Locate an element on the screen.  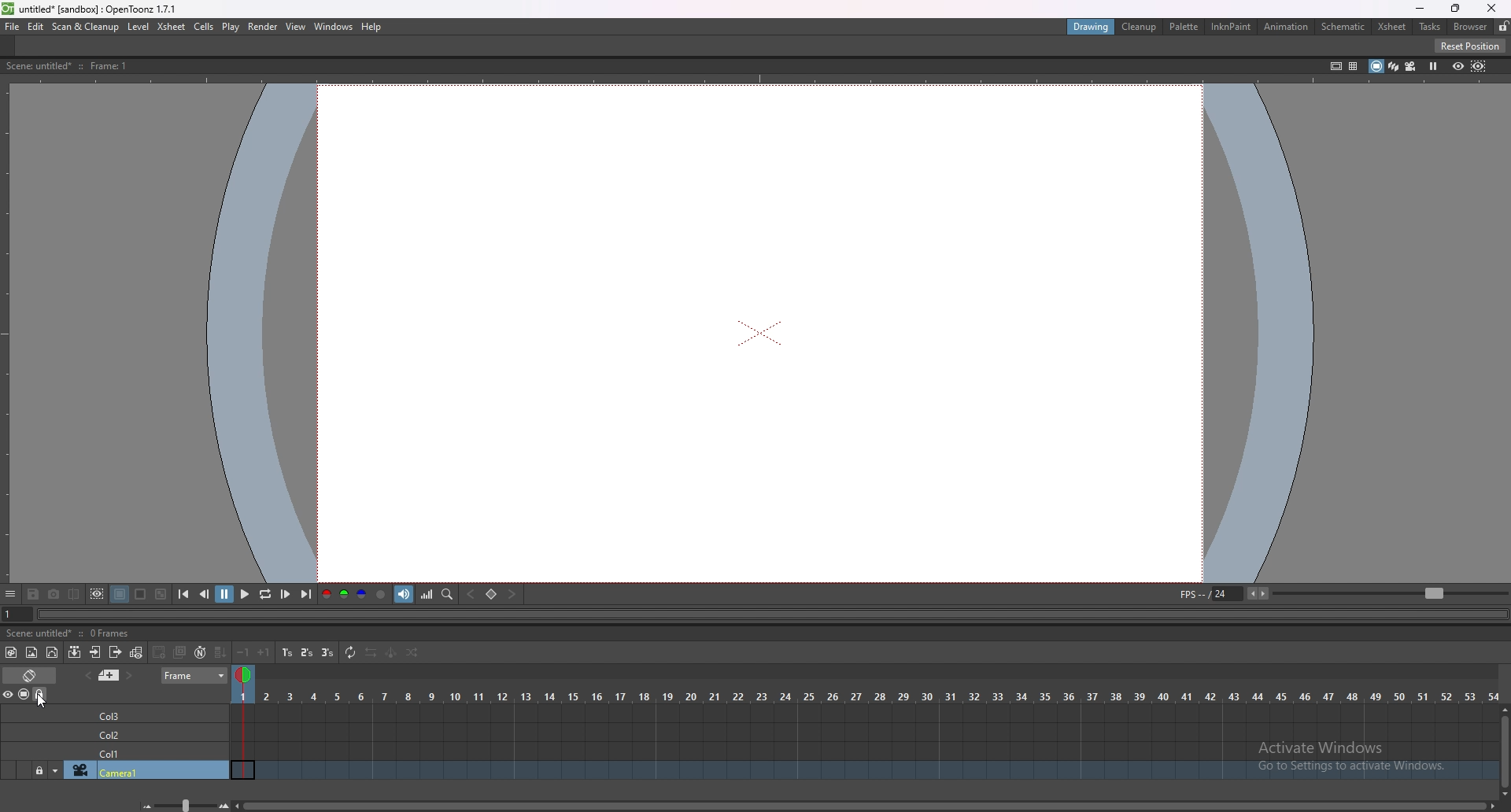
minimize is located at coordinates (1420, 8).